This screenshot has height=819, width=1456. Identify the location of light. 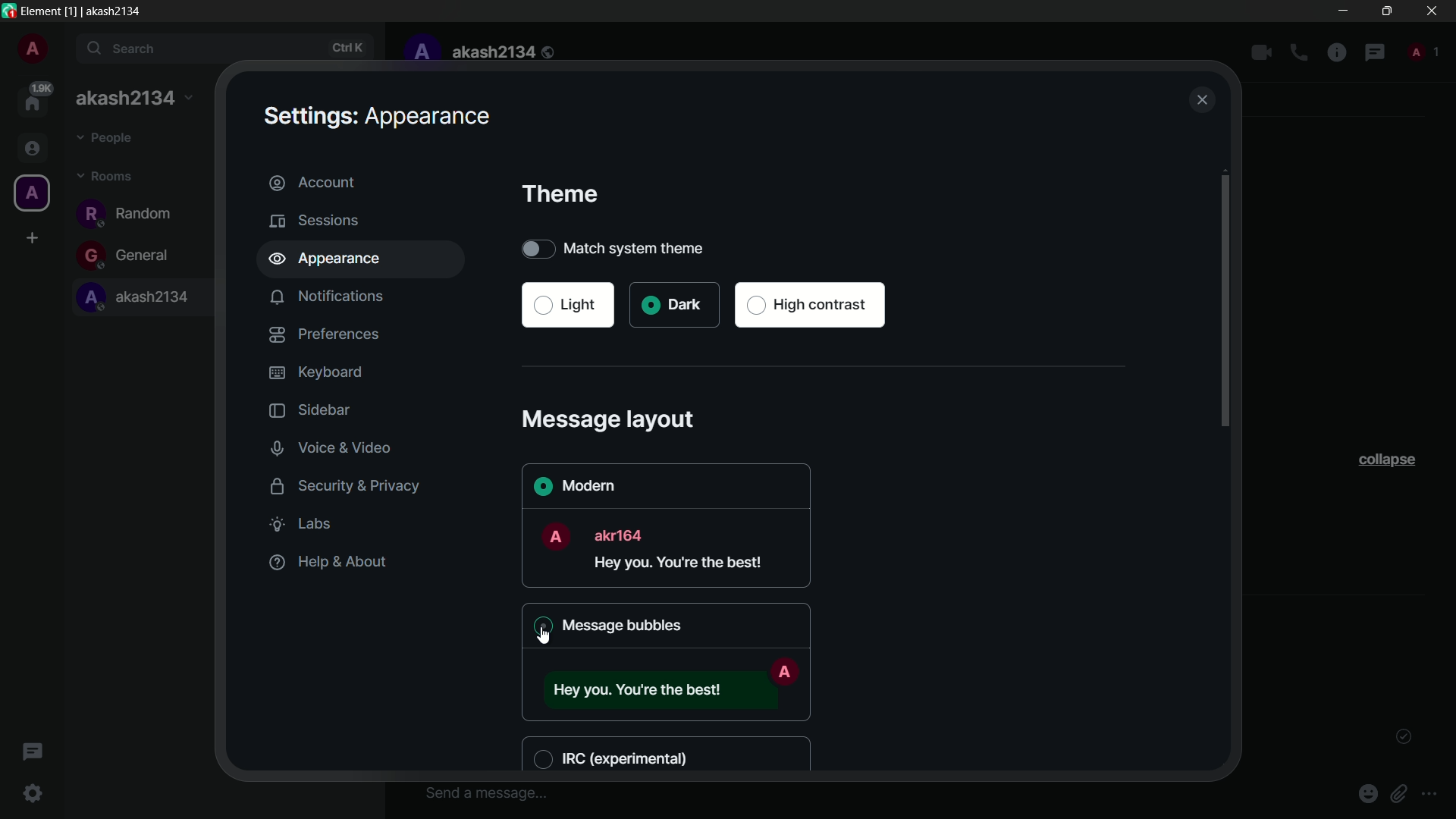
(567, 305).